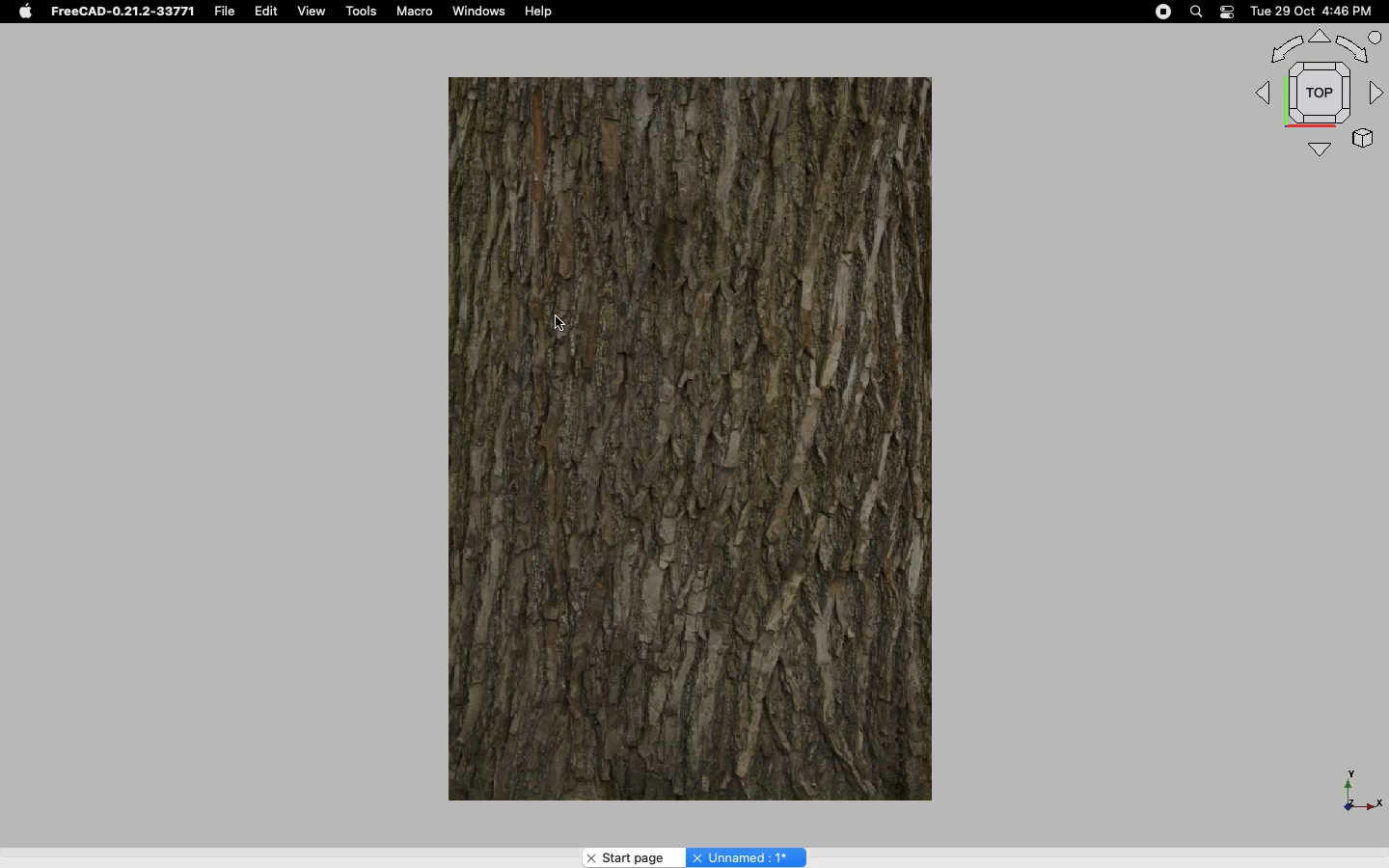 The height and width of the screenshot is (868, 1389). I want to click on Object, so click(691, 434).